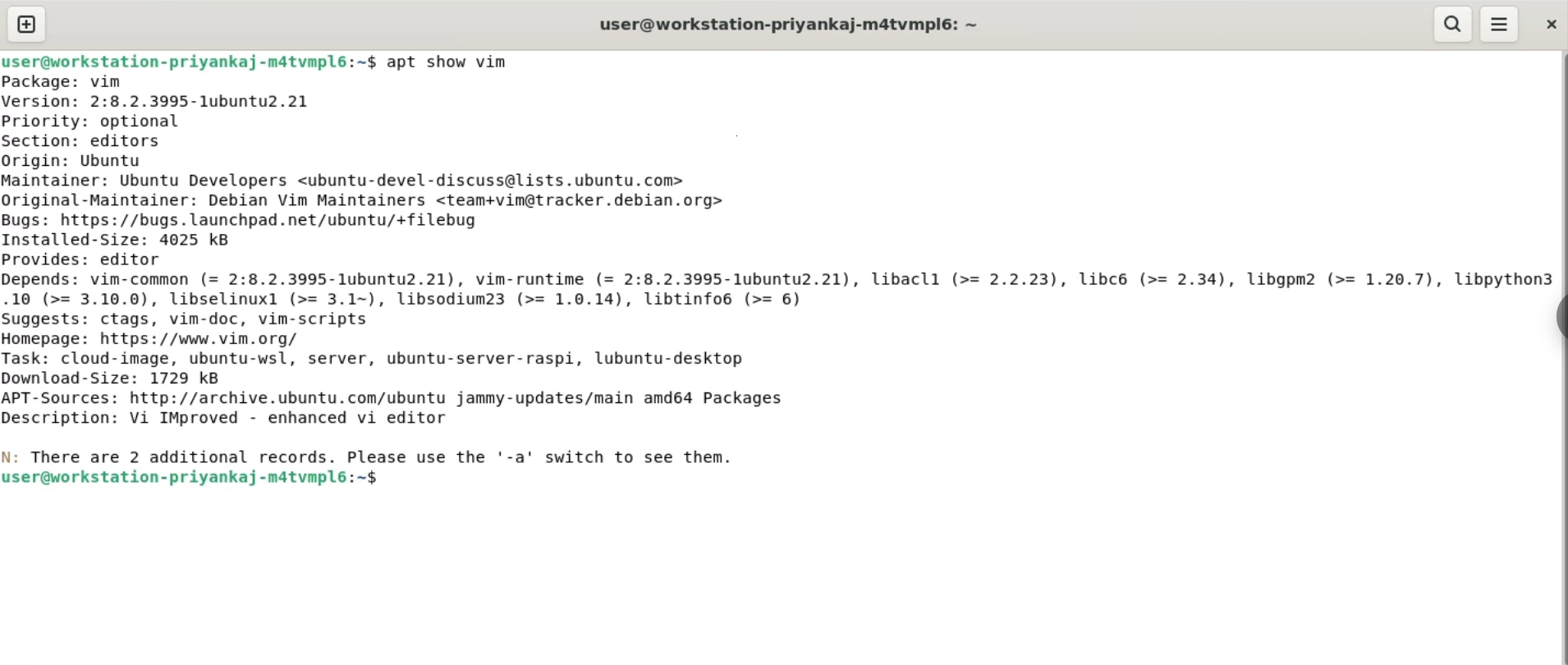 This screenshot has height=665, width=1568. What do you see at coordinates (1500, 23) in the screenshot?
I see `menu` at bounding box center [1500, 23].